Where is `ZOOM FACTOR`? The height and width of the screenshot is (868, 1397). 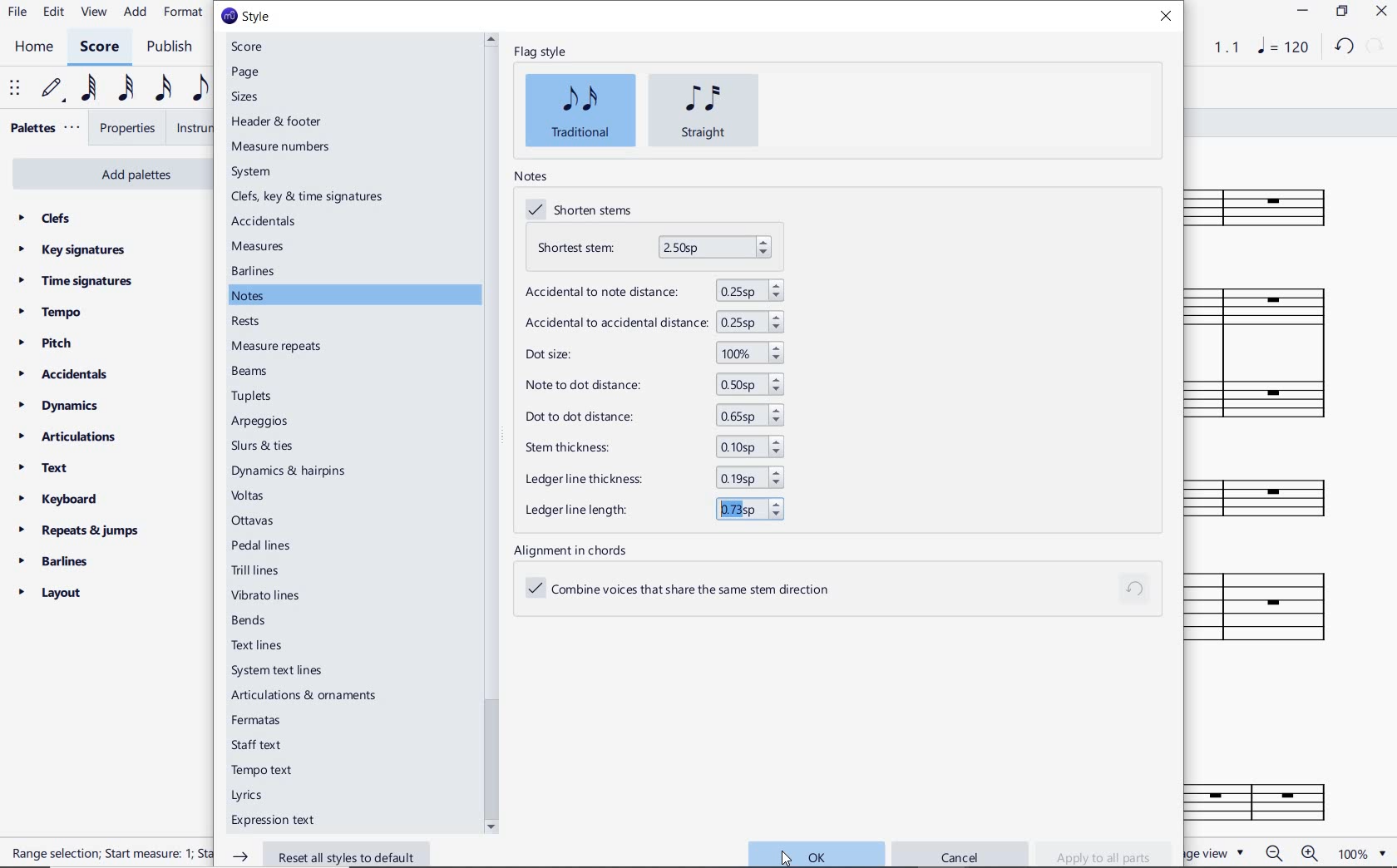 ZOOM FACTOR is located at coordinates (1362, 852).